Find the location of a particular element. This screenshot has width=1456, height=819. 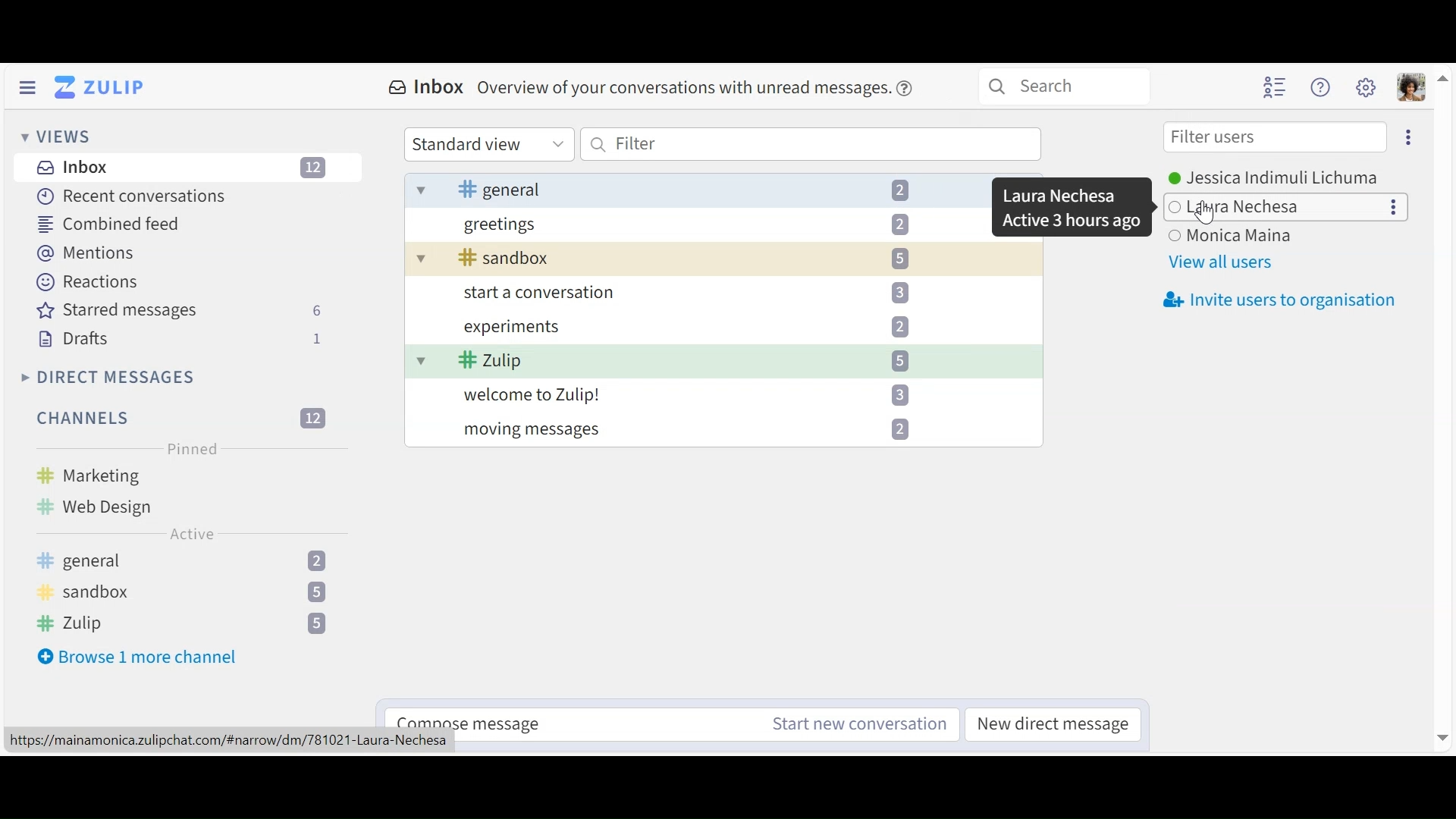

Start new conversations is located at coordinates (856, 723).